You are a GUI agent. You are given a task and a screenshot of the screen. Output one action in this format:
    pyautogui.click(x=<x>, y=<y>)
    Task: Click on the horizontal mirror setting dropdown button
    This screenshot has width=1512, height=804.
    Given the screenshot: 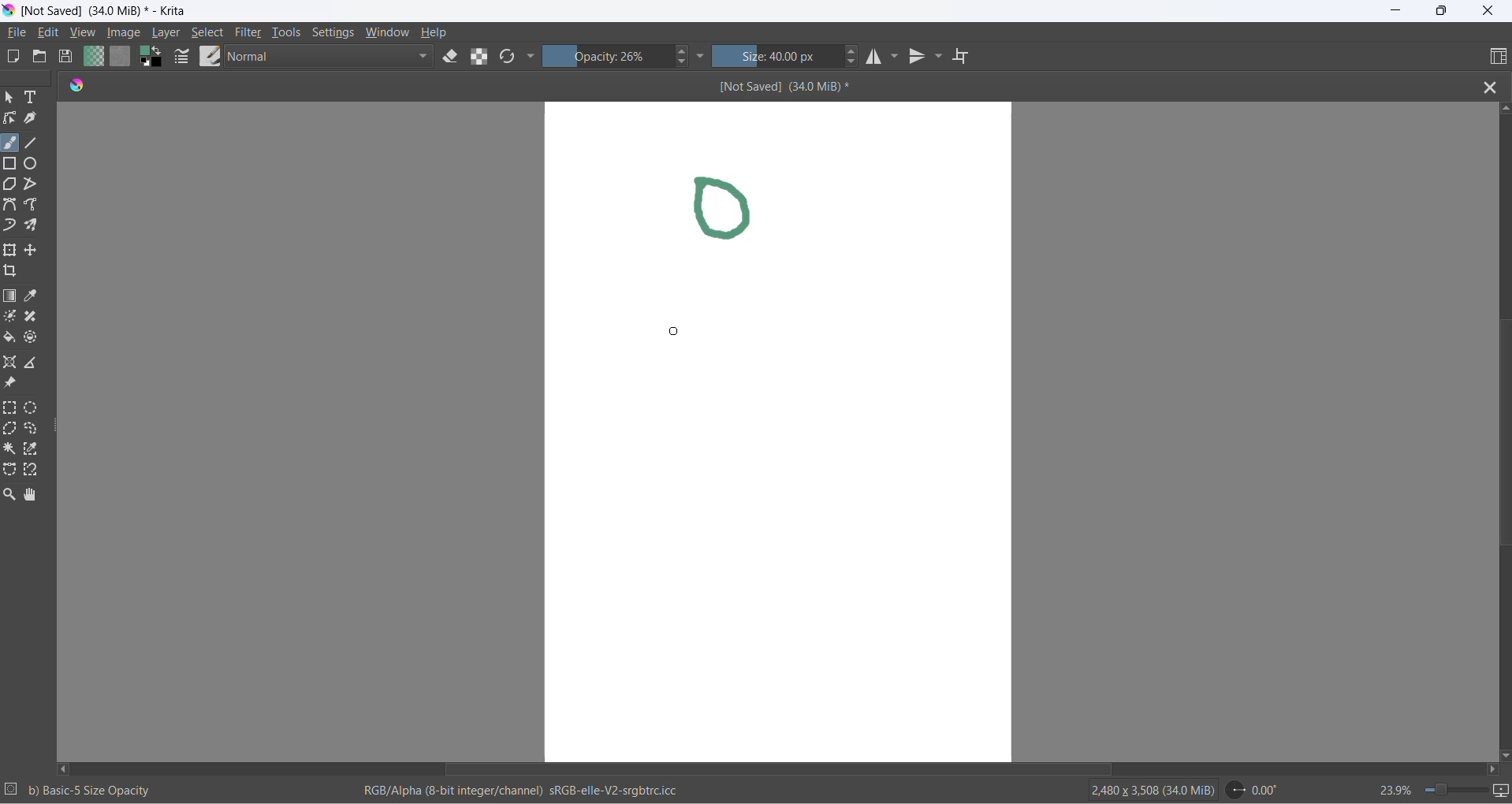 What is the action you would take?
    pyautogui.click(x=896, y=54)
    